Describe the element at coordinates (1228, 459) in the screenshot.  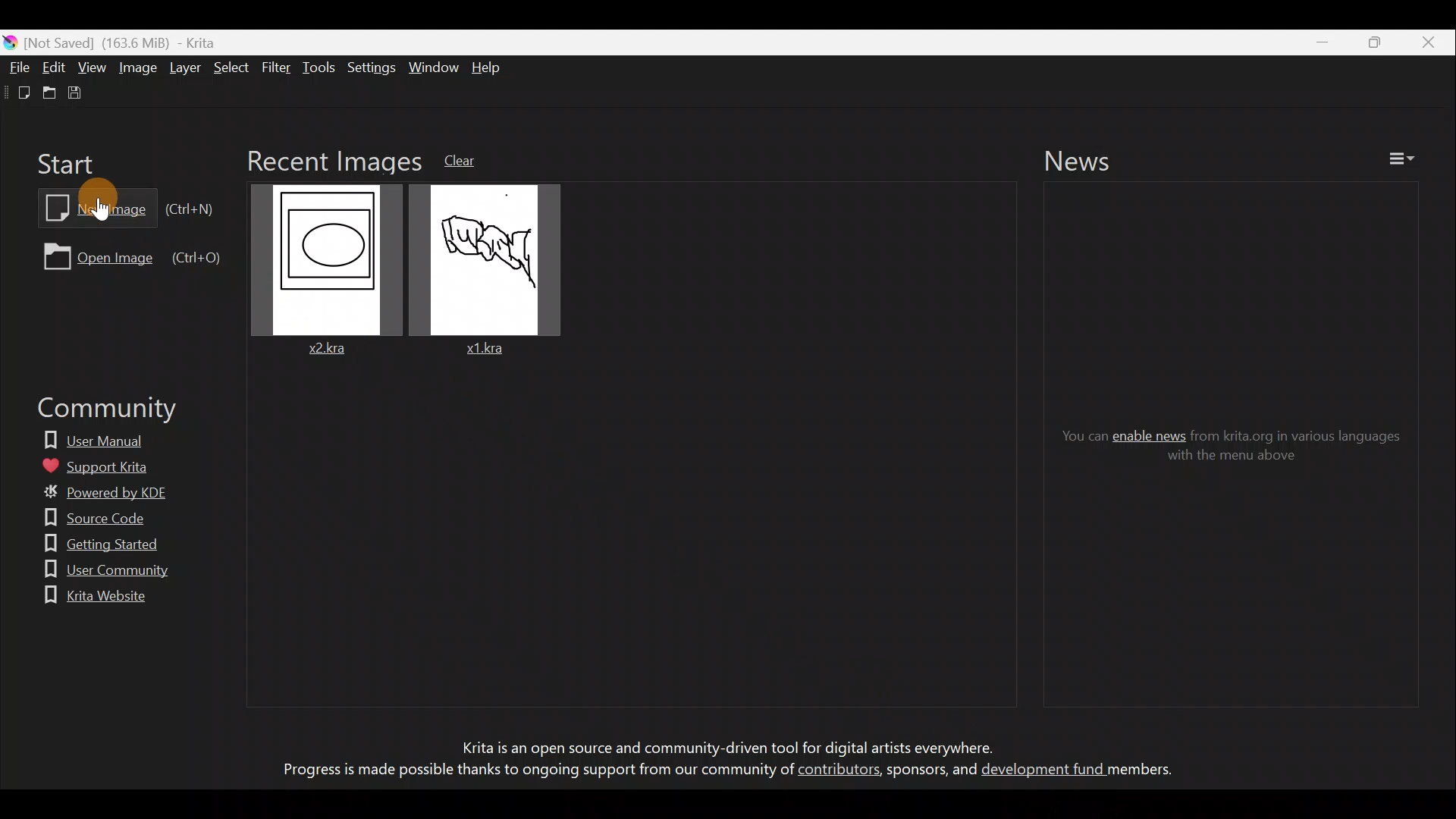
I see `with the menu above` at that location.